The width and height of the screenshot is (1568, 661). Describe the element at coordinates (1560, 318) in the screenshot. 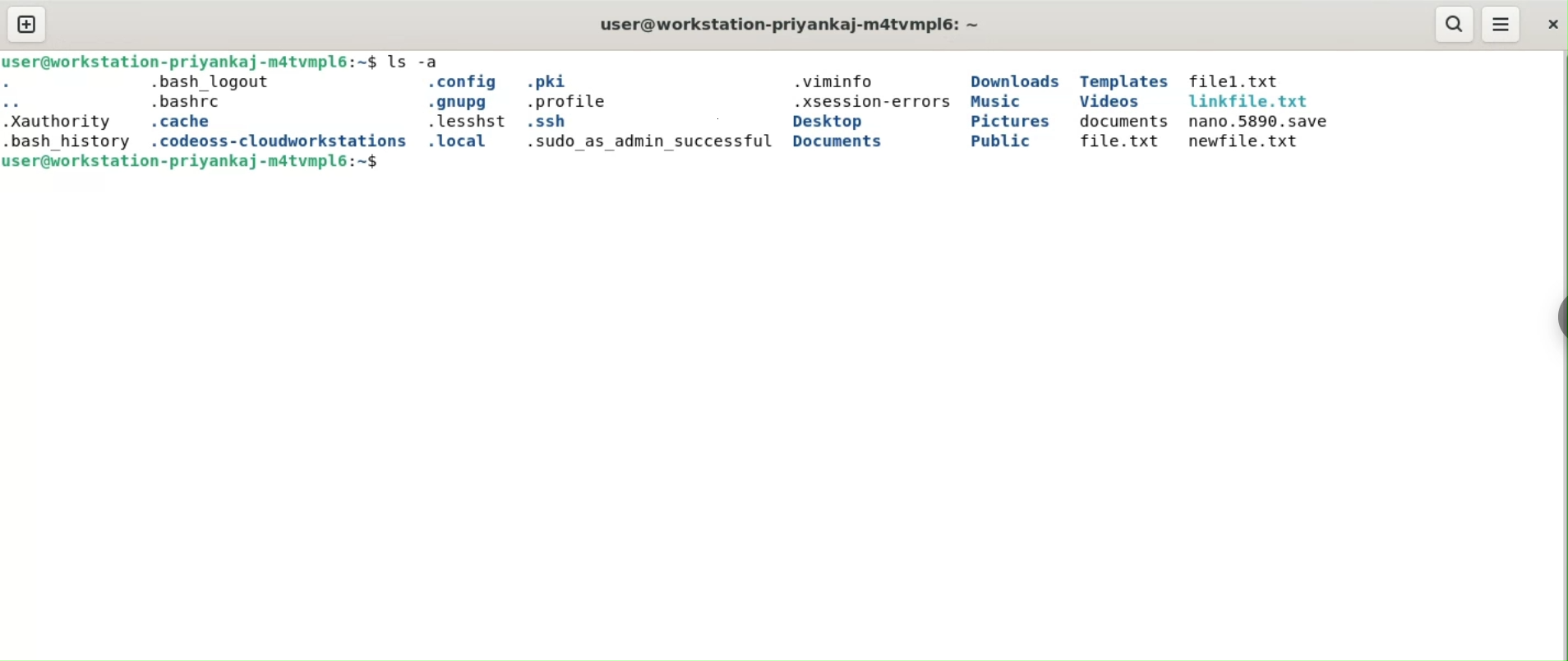

I see `sidebar` at that location.